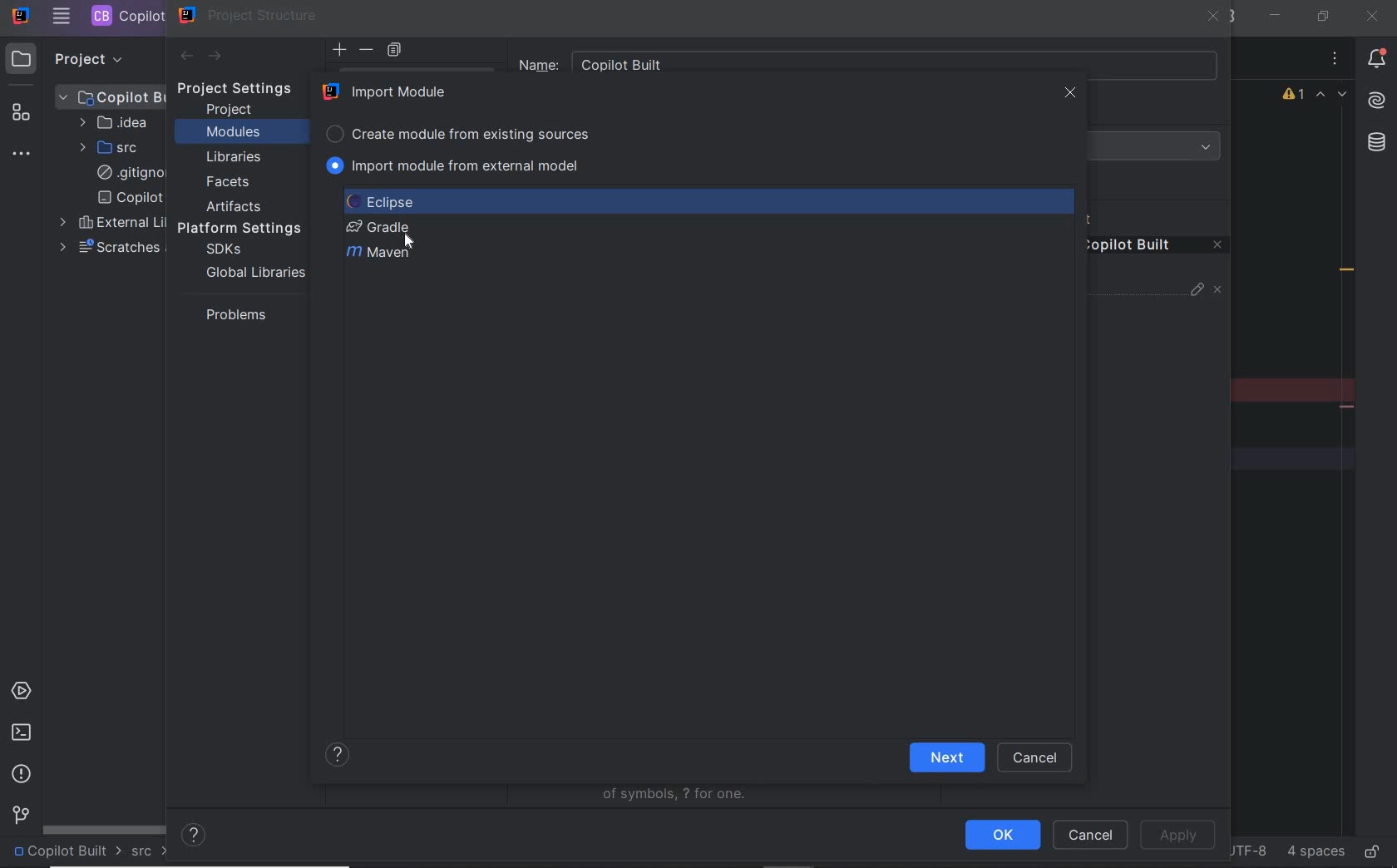  Describe the element at coordinates (1314, 852) in the screenshot. I see `indent` at that location.